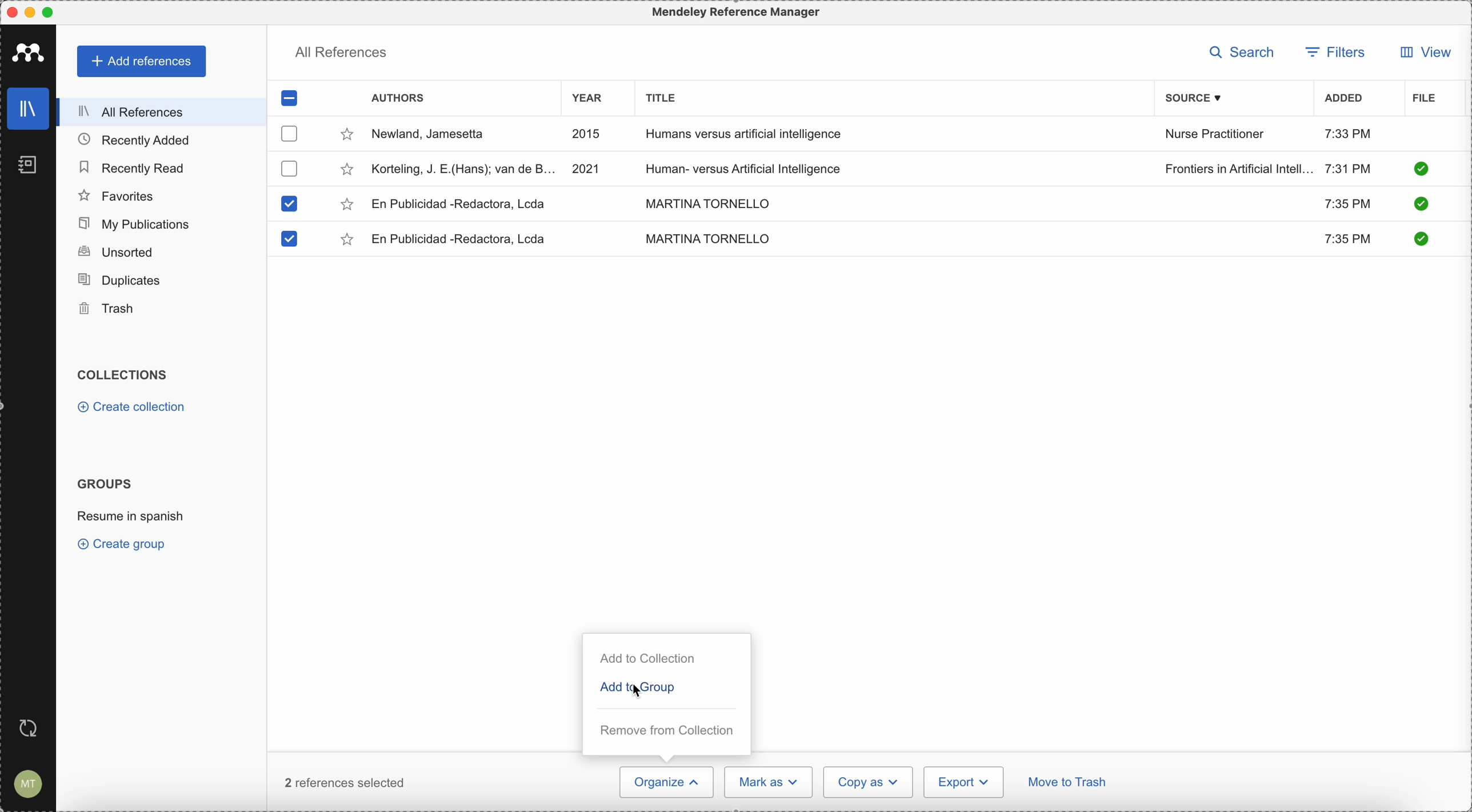 The width and height of the screenshot is (1472, 812). I want to click on check it, so click(1419, 238).